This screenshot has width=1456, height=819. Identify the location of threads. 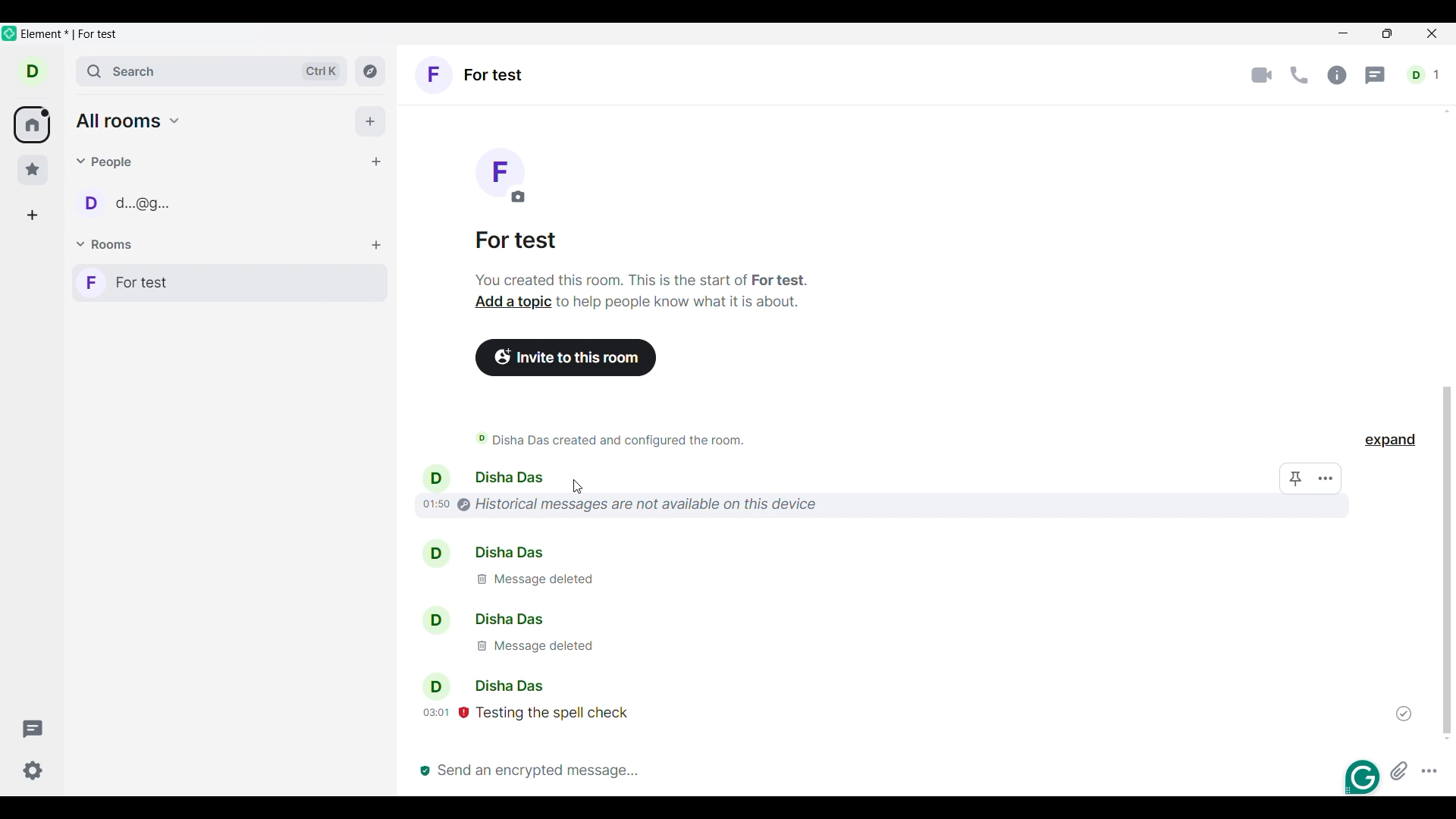
(34, 726).